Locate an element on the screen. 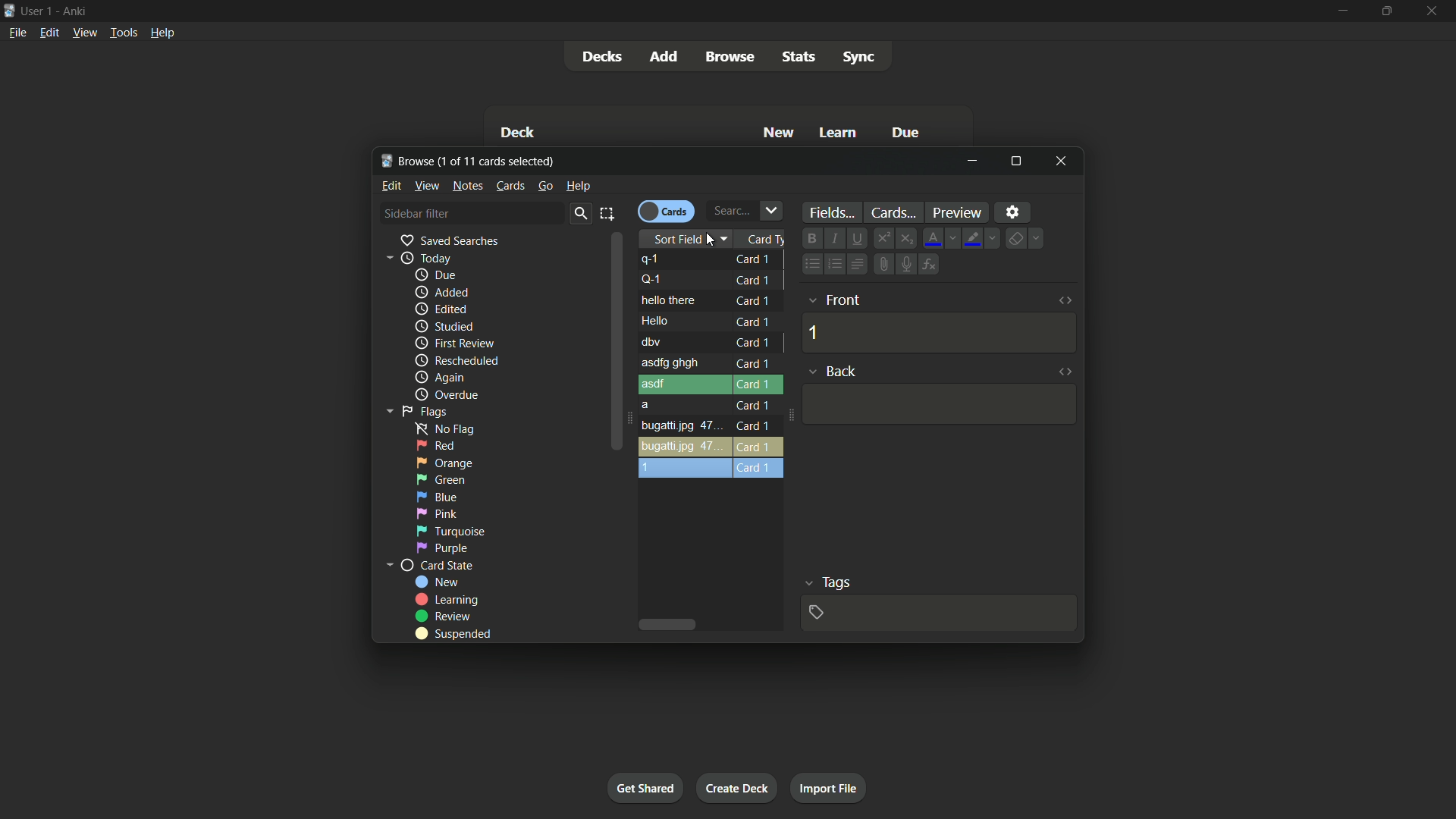 Image resolution: width=1456 pixels, height=819 pixels. card state is located at coordinates (435, 565).